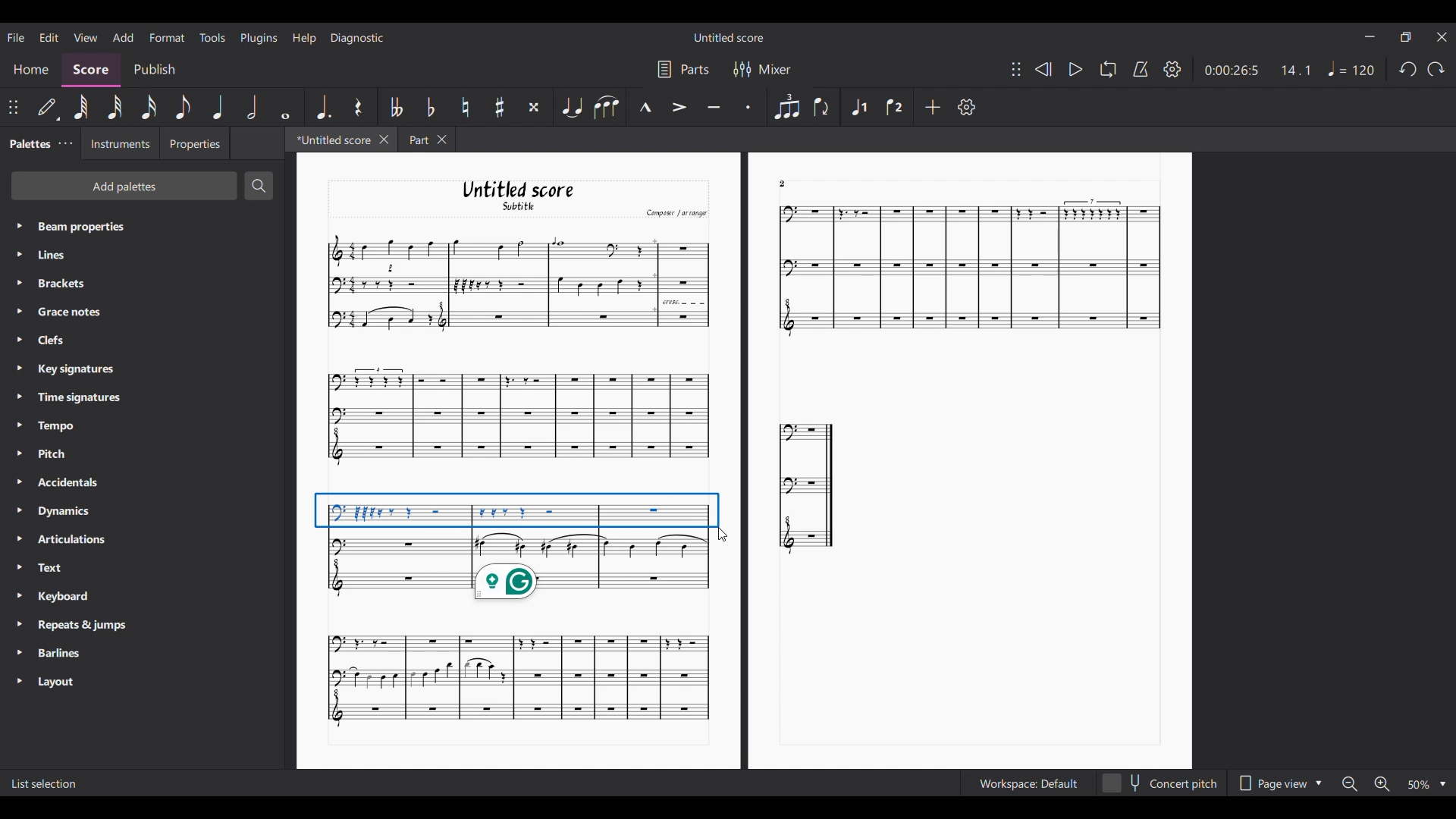 The height and width of the screenshot is (819, 1456). Describe the element at coordinates (384, 139) in the screenshot. I see `Close current tab` at that location.